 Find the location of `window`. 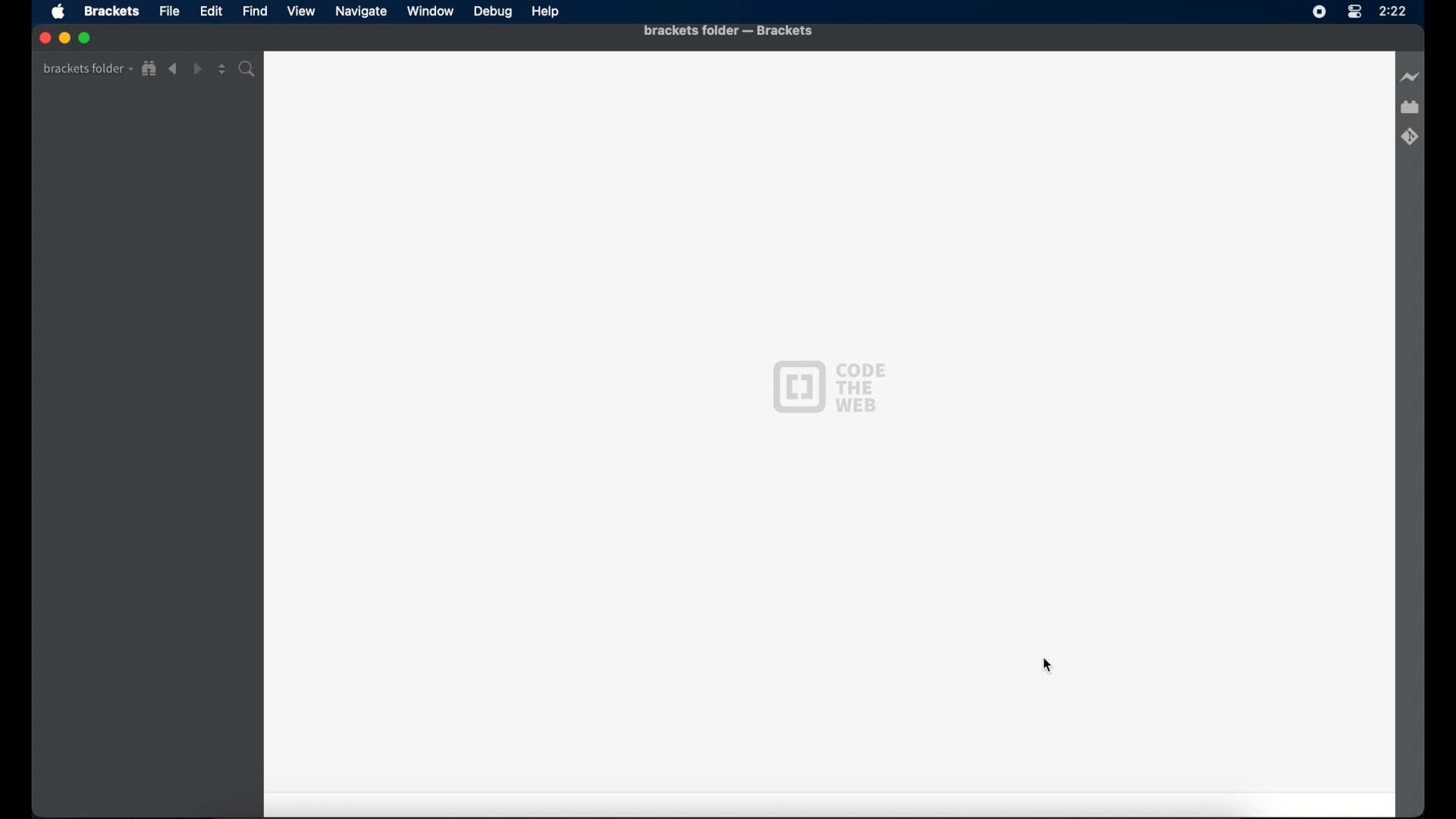

window is located at coordinates (430, 11).